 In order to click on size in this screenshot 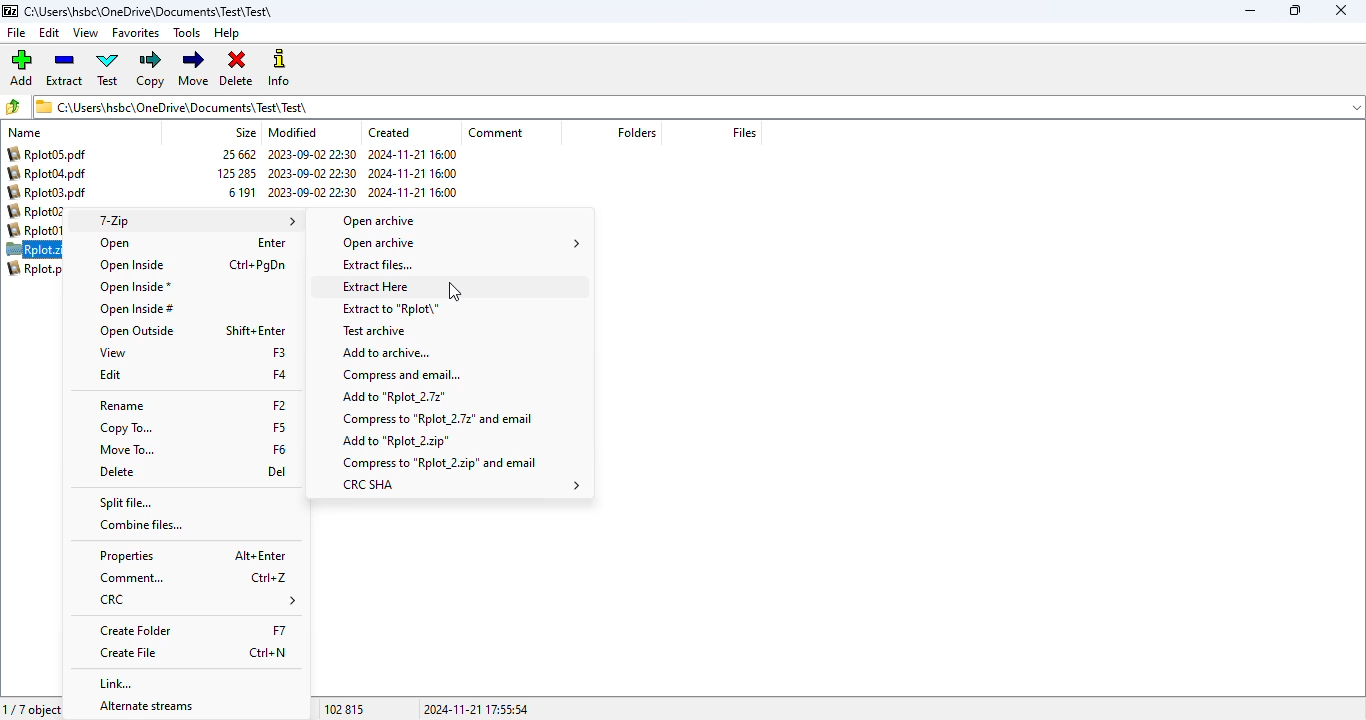, I will do `click(245, 132)`.